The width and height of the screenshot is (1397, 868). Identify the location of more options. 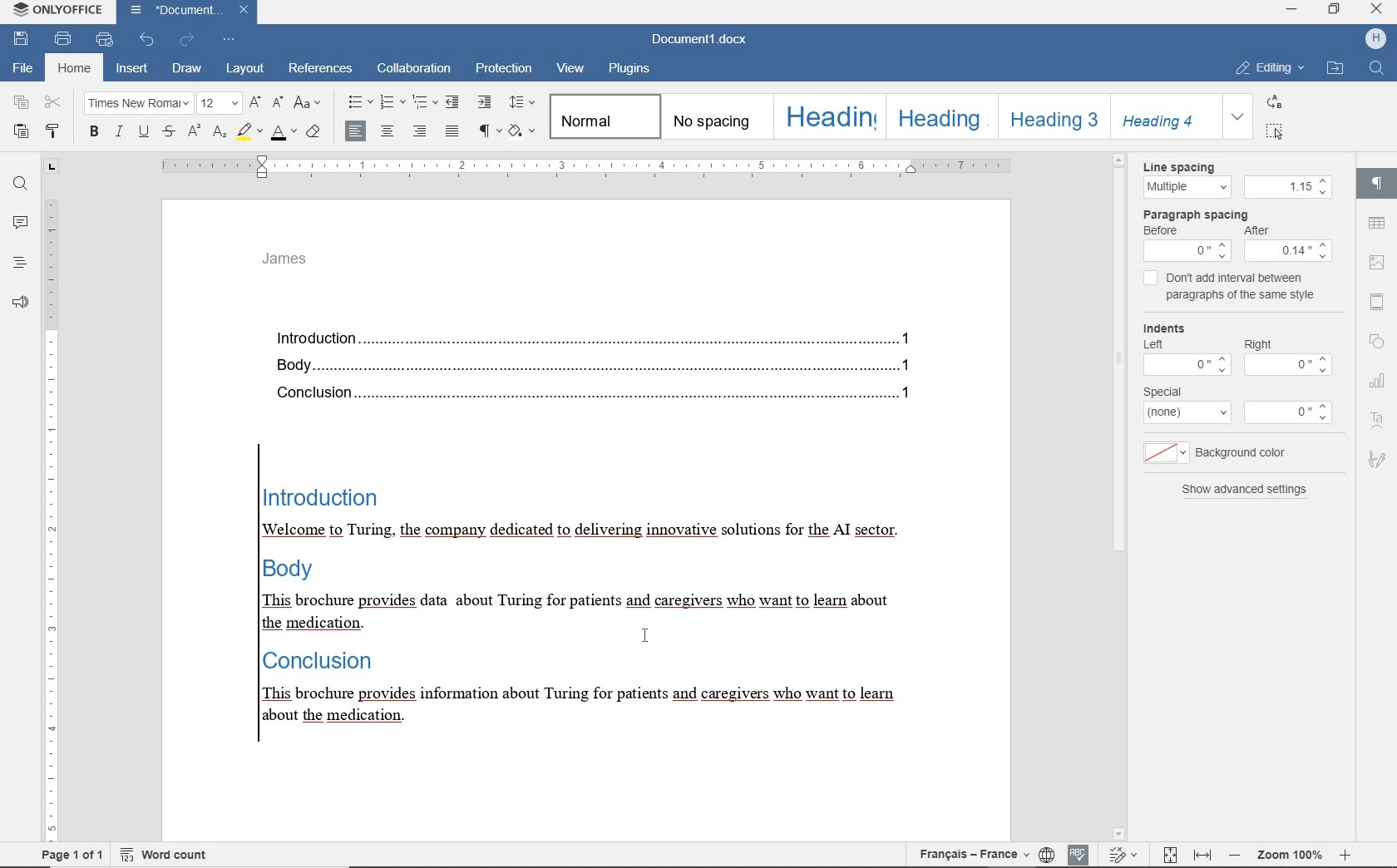
(1289, 367).